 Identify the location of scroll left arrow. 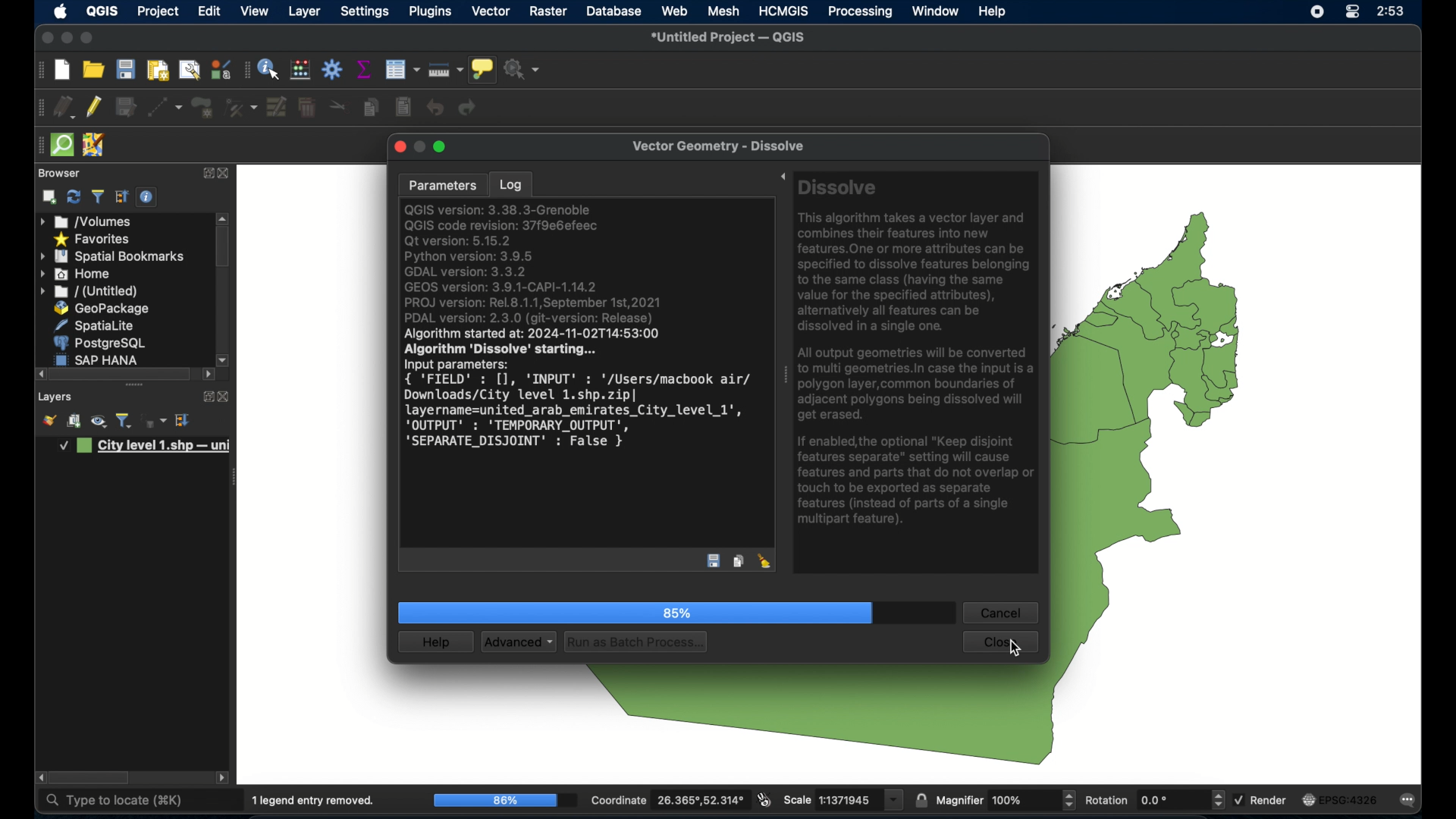
(224, 779).